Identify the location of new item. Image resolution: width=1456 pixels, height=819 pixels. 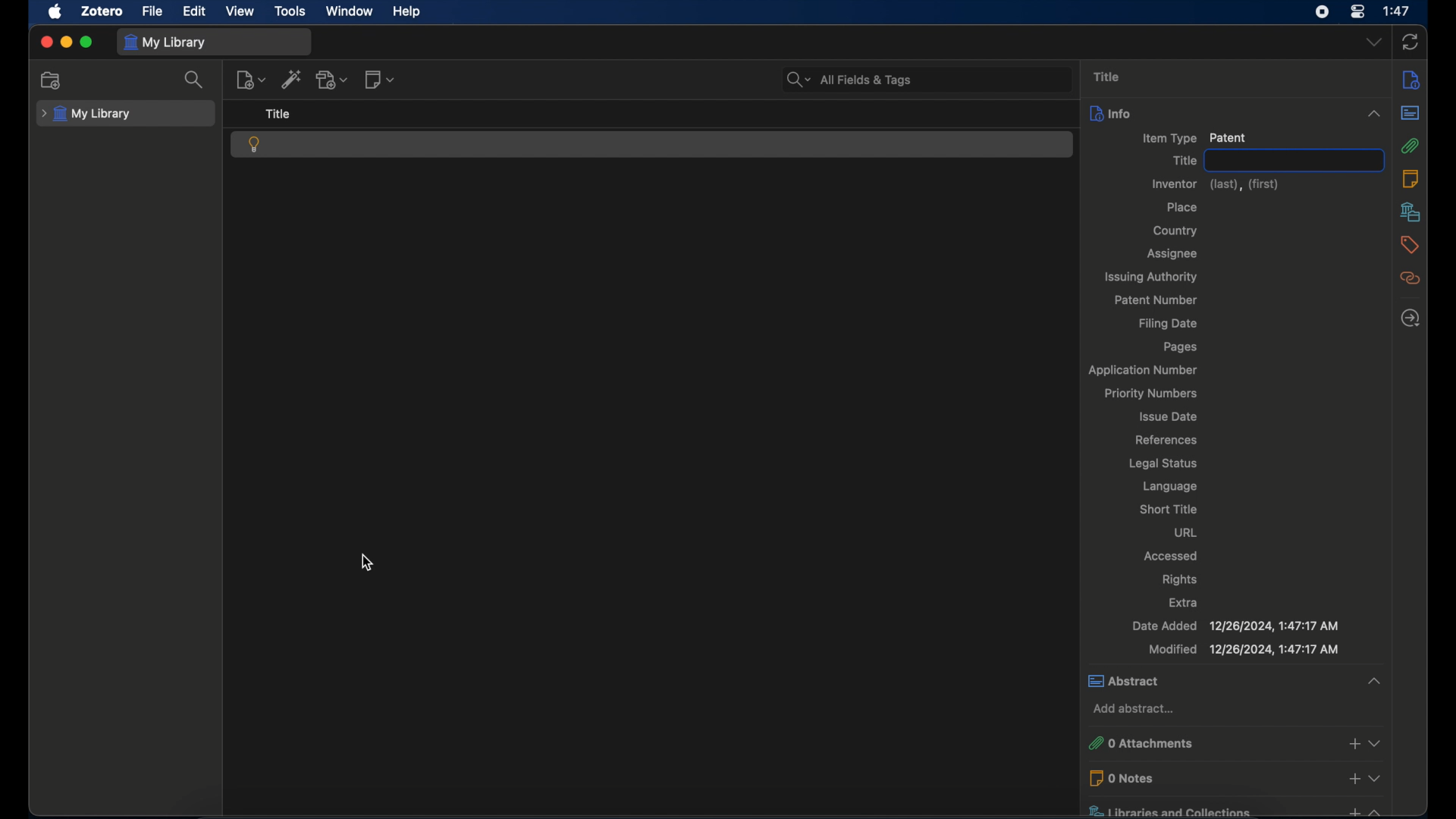
(250, 79).